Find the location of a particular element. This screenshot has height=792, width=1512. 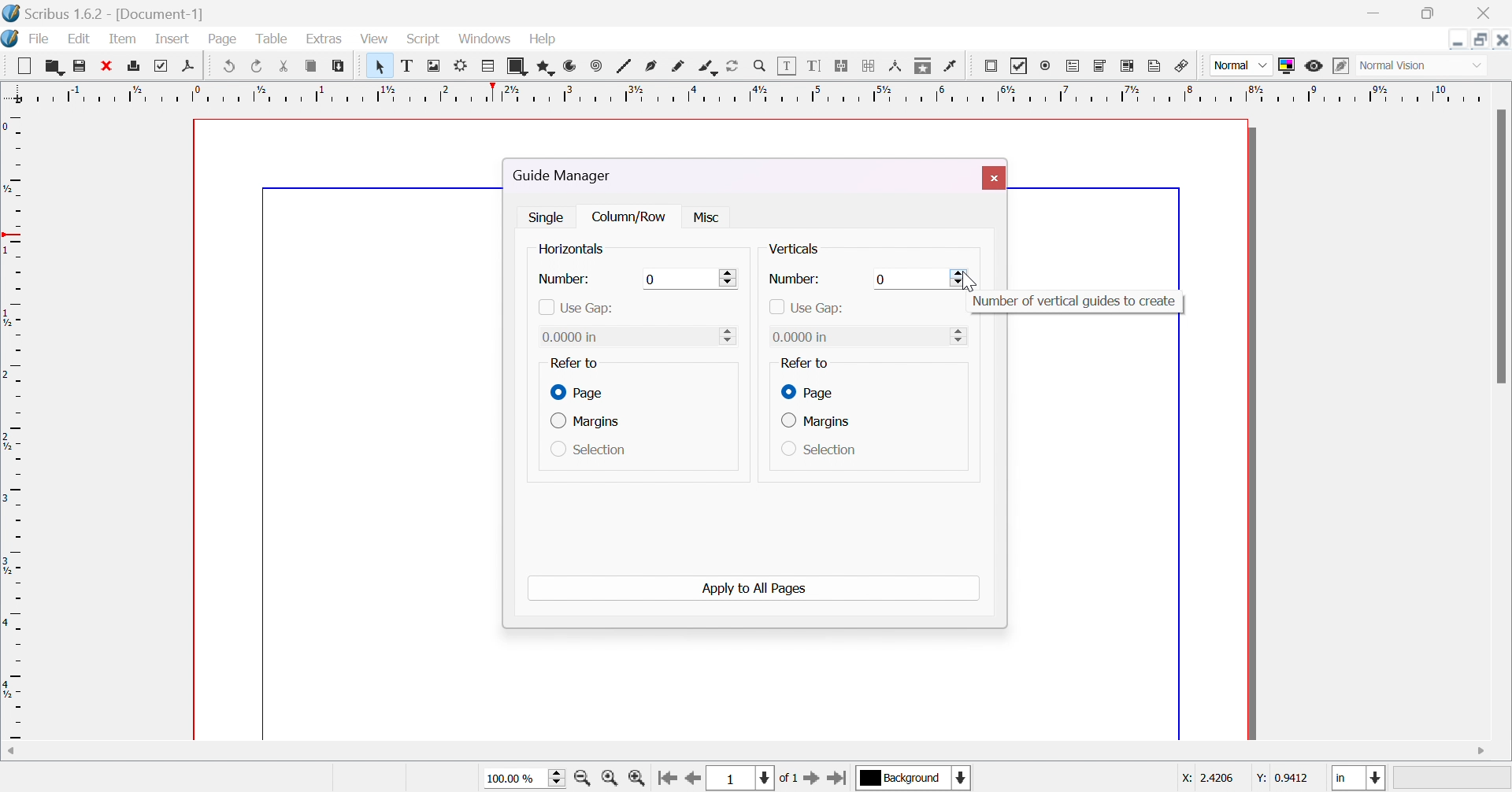

horizontals (in) is located at coordinates (584, 250).